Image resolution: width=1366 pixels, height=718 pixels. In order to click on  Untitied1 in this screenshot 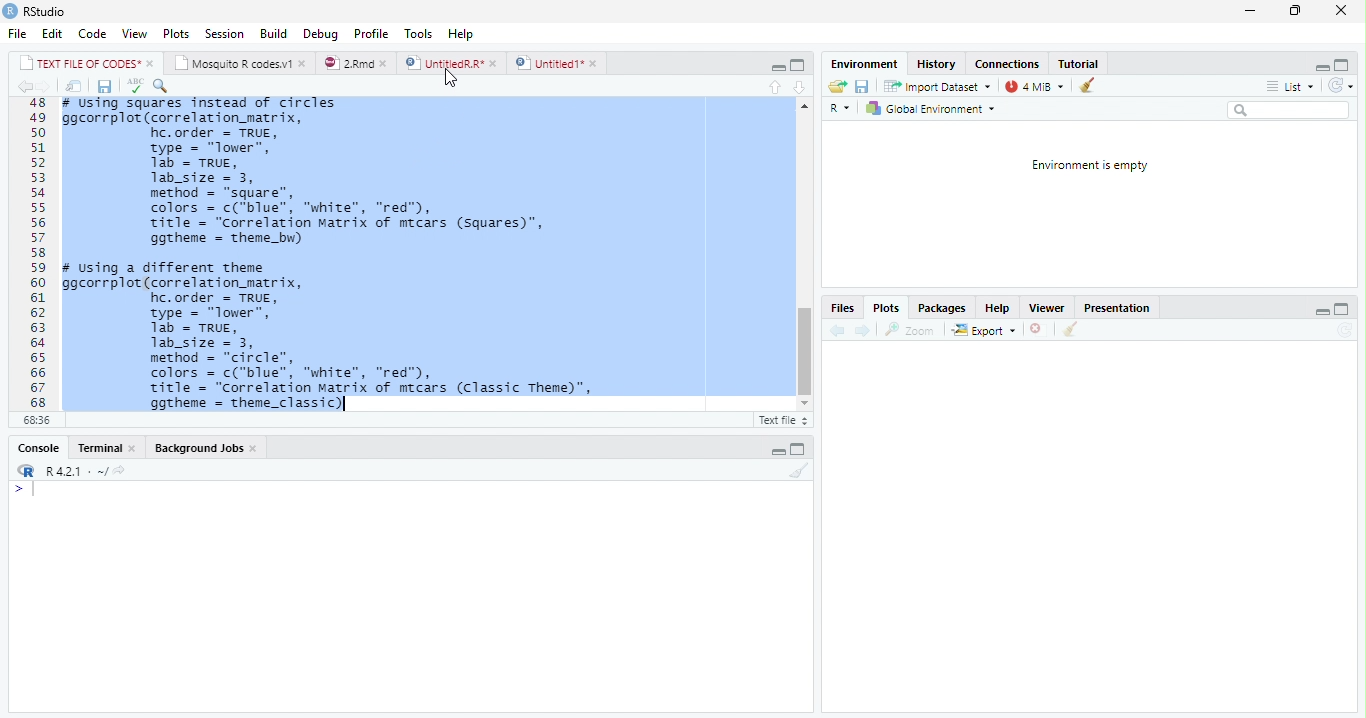, I will do `click(557, 63)`.